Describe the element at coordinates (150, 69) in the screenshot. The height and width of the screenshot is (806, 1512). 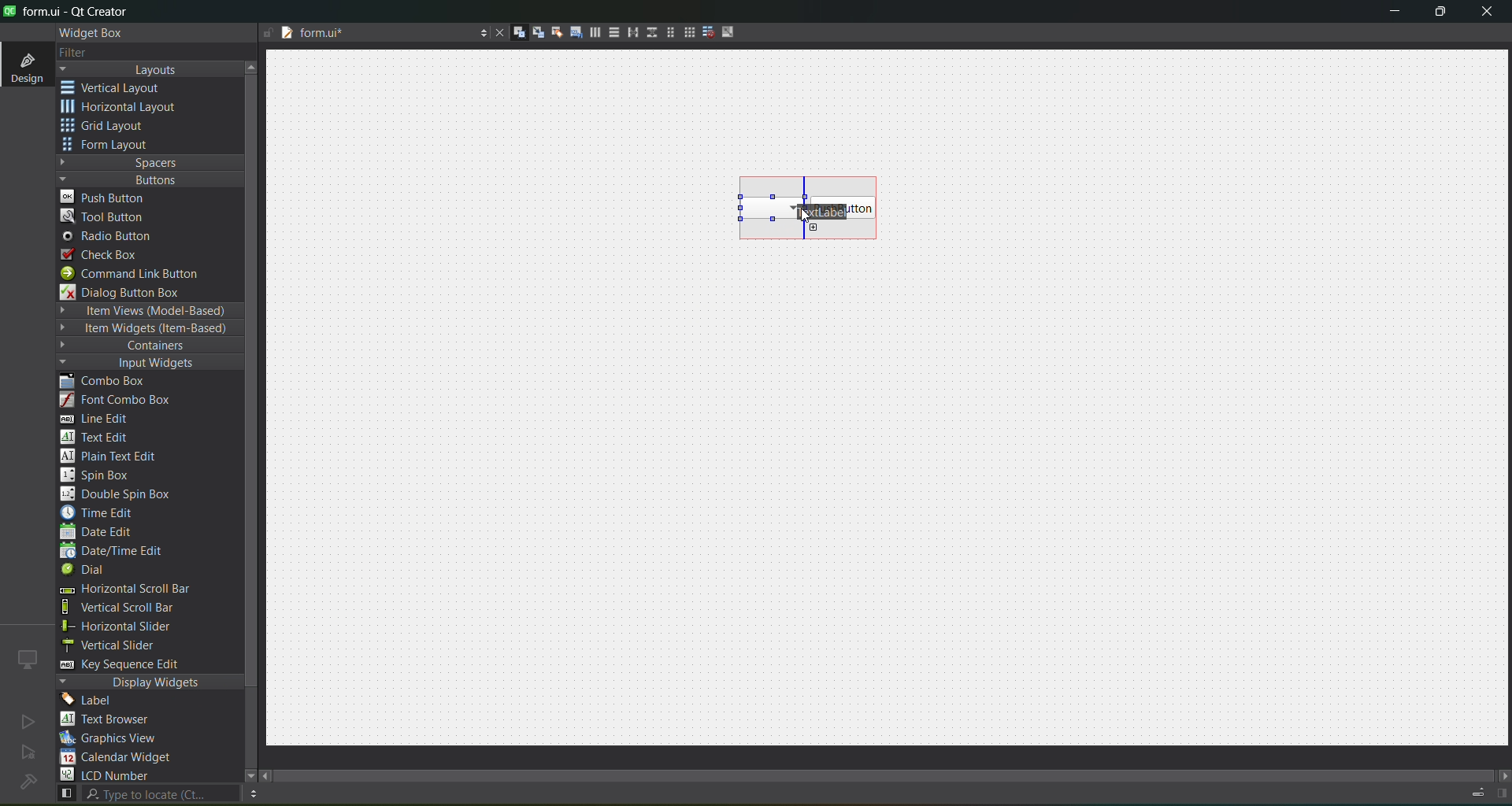
I see `layouts` at that location.